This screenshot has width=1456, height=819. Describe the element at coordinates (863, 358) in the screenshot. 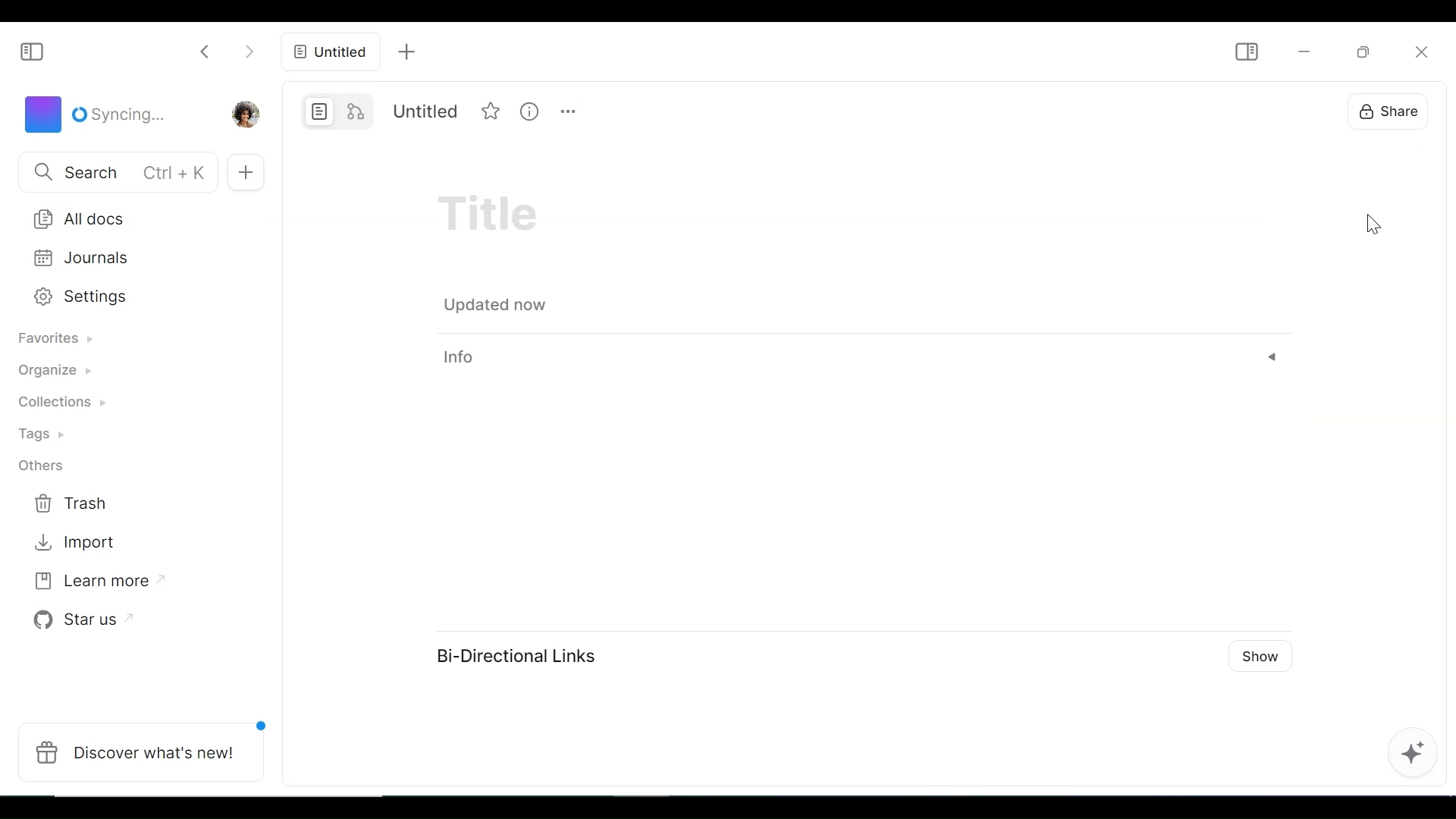

I see `View Information` at that location.